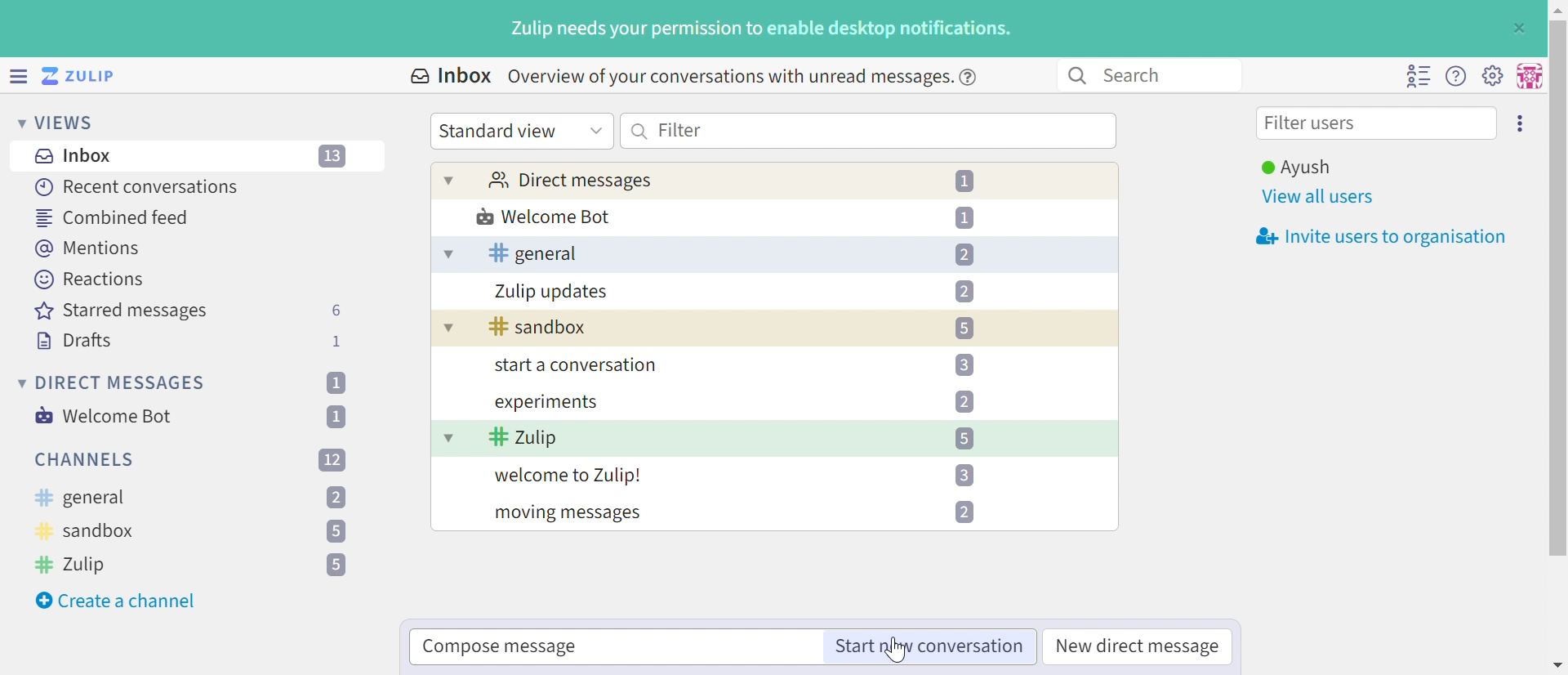 The height and width of the screenshot is (675, 1568). I want to click on Invite users to organisation, so click(1521, 122).